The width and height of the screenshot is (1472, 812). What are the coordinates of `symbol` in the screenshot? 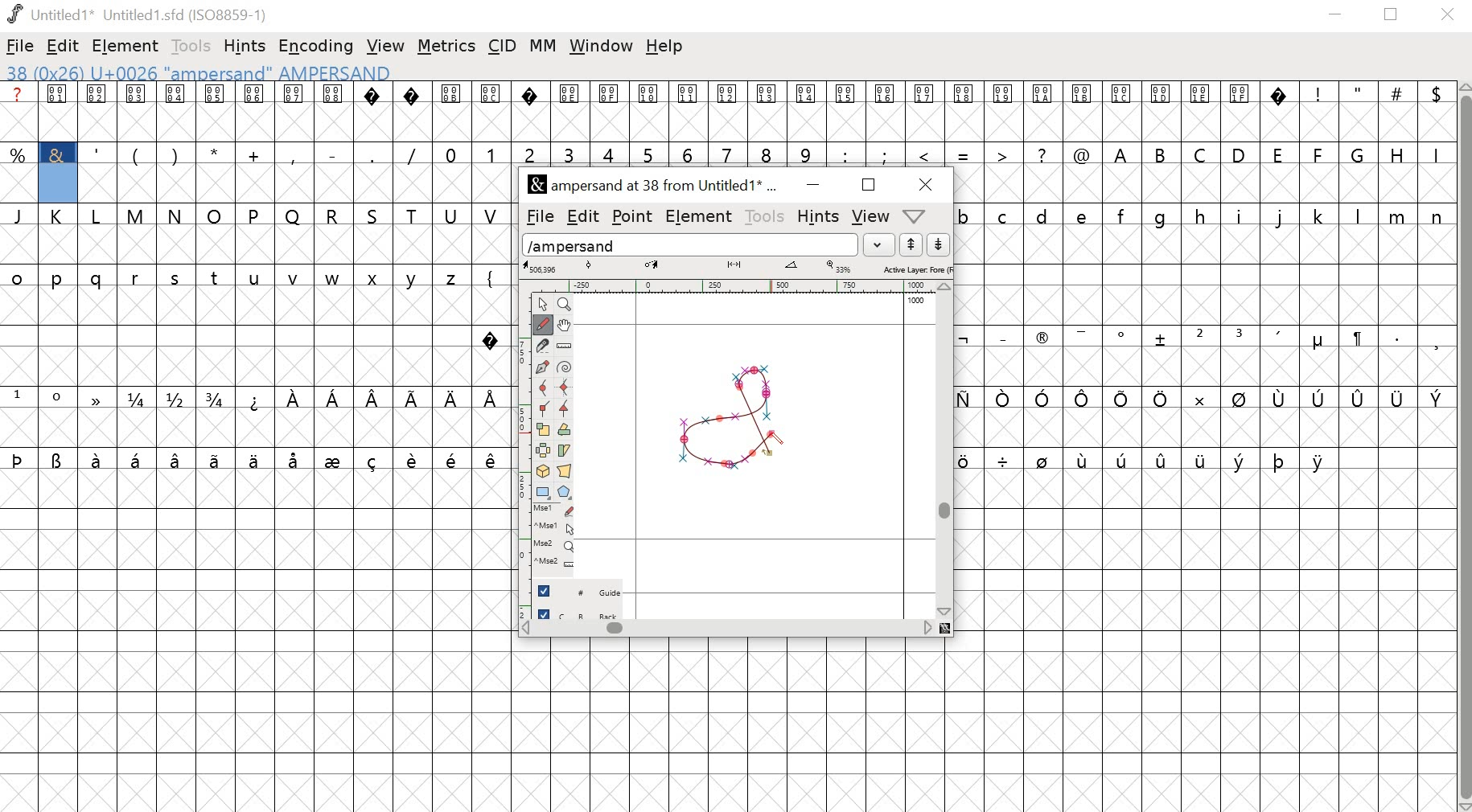 It's located at (177, 459).